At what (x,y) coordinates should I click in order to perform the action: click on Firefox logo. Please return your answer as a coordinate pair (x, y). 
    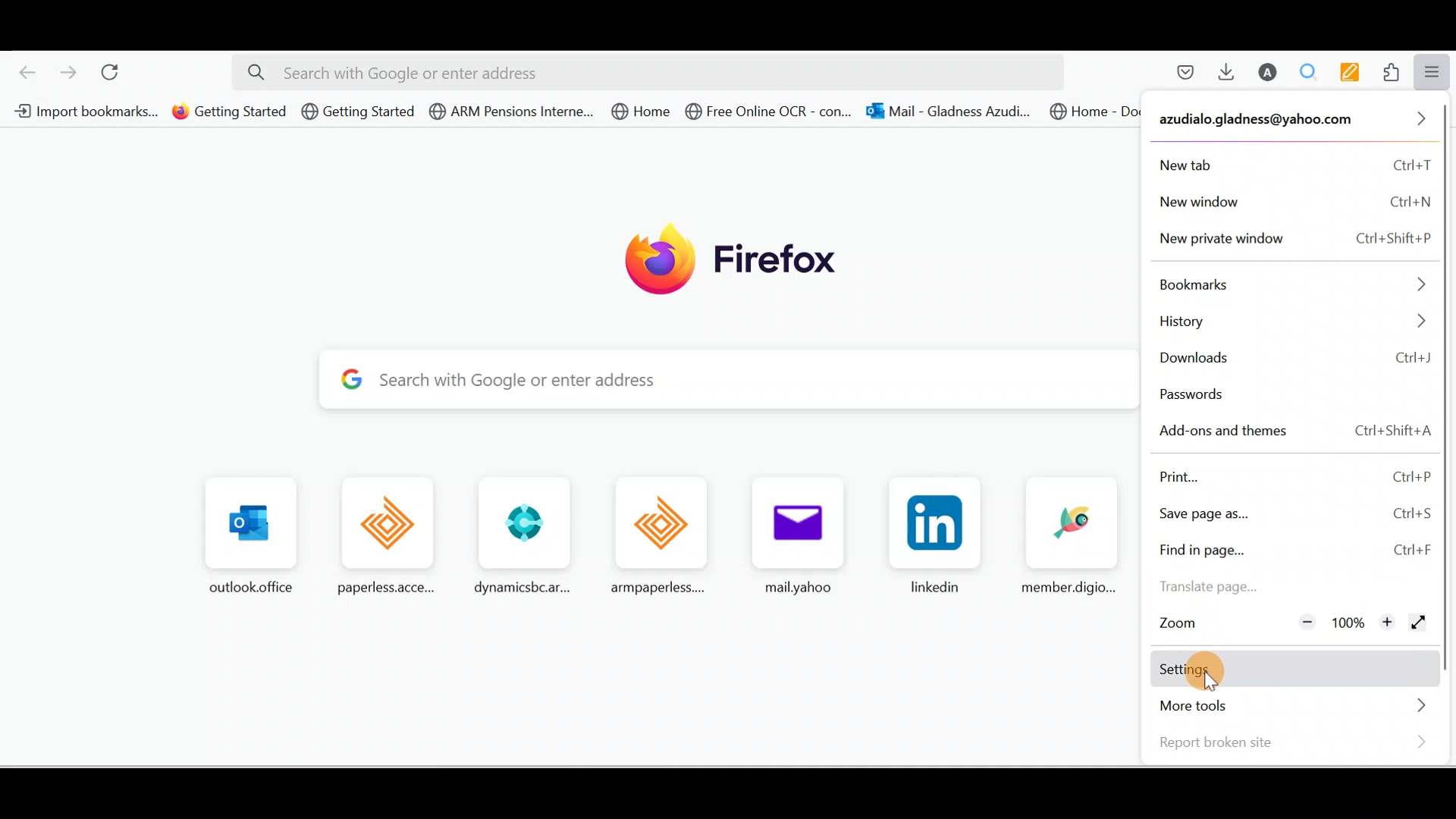
    Looking at the image, I should click on (720, 260).